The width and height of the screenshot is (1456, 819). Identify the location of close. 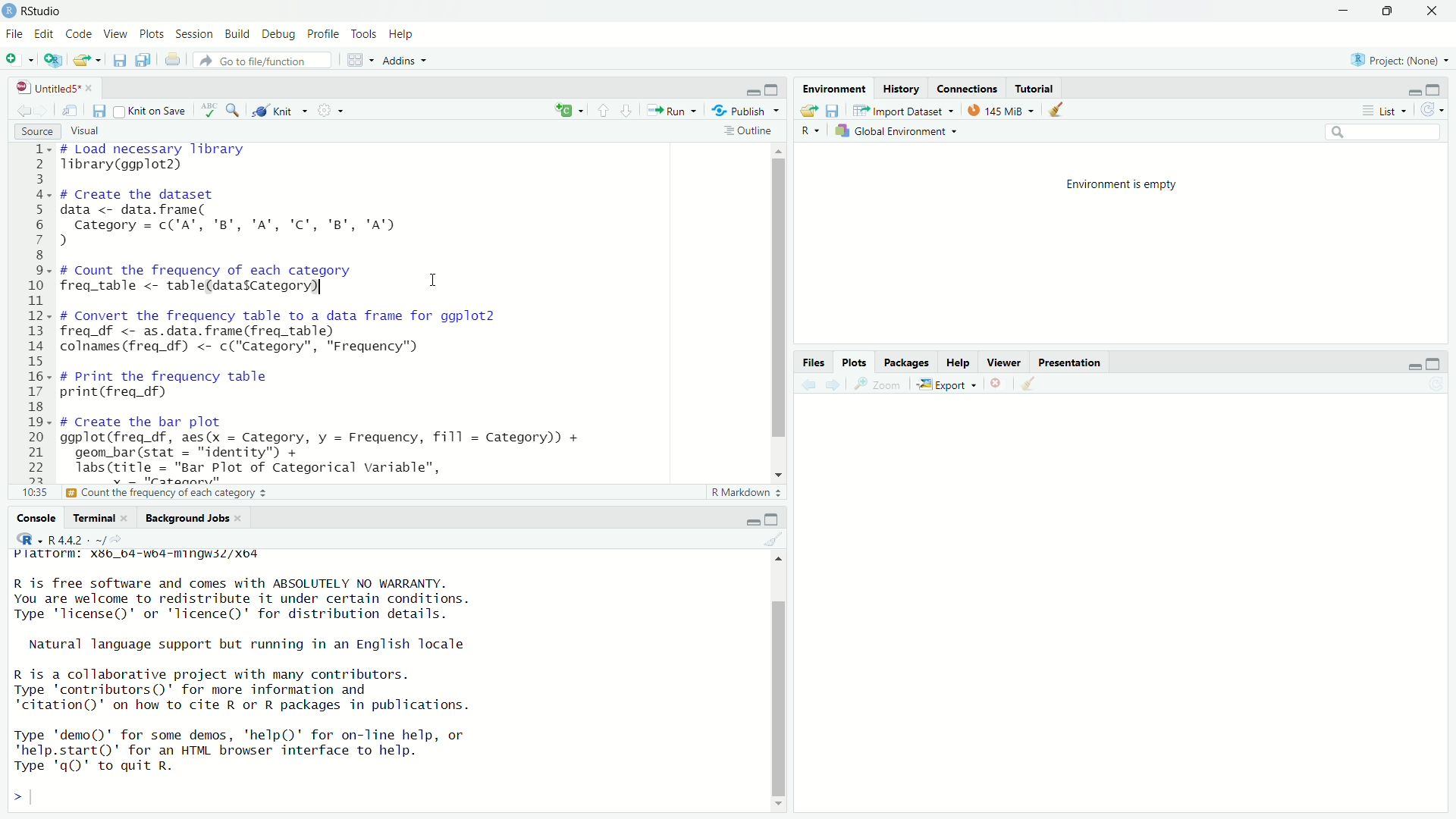
(1435, 11).